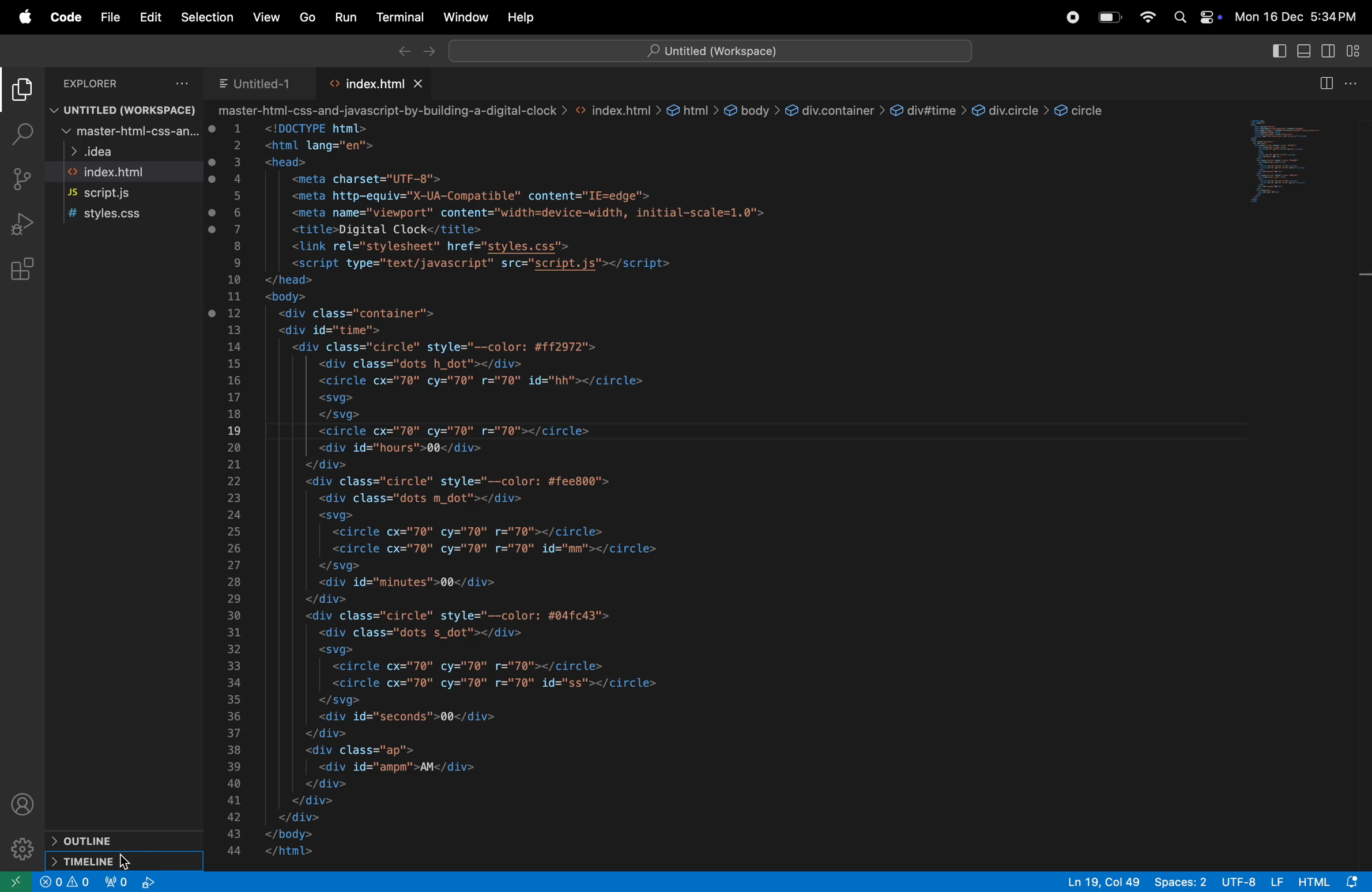 The image size is (1372, 892). Describe the element at coordinates (464, 615) in the screenshot. I see `<div class="circle" style="--color: #04fc43">` at that location.